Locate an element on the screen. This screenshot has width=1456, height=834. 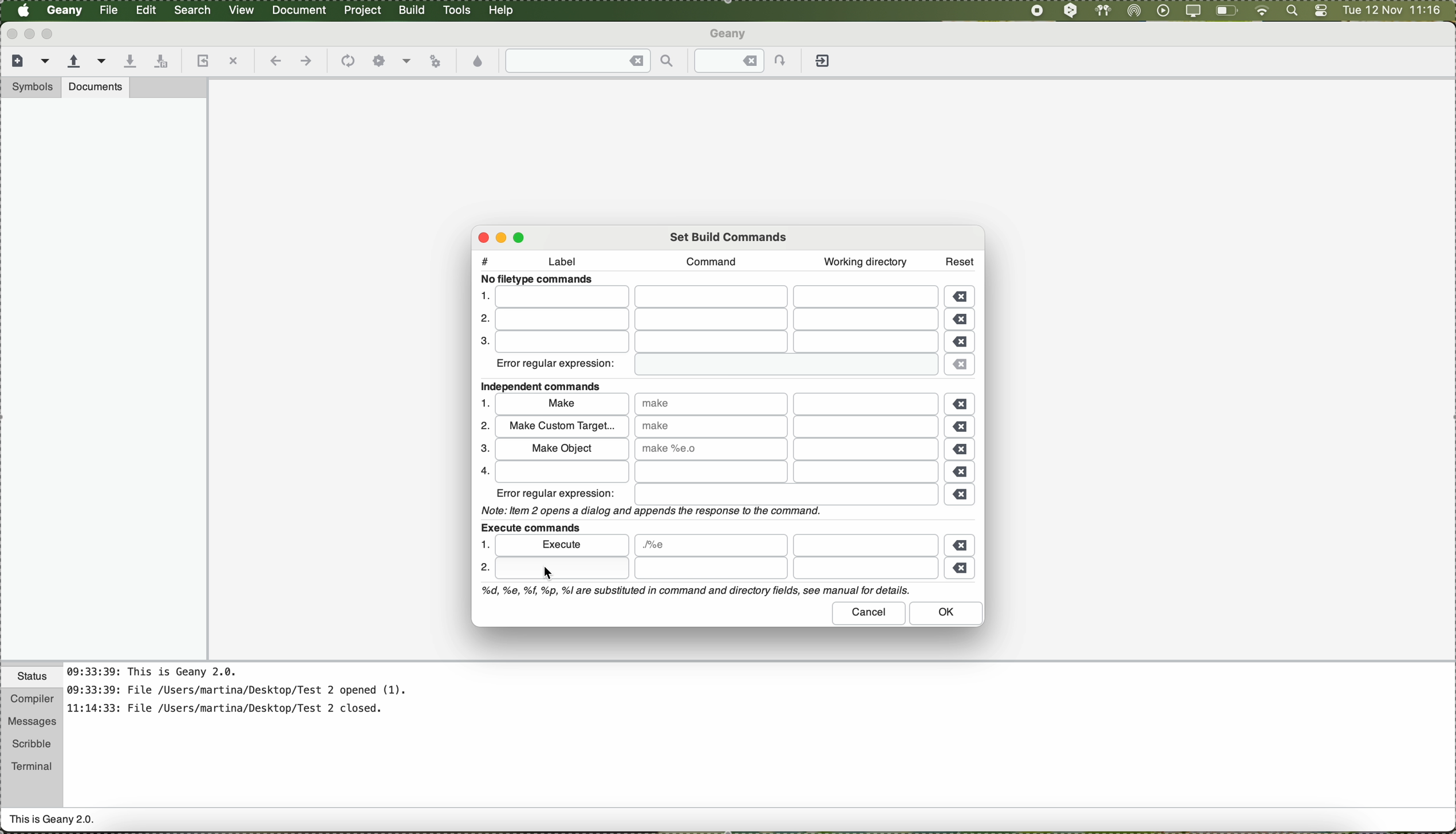
play is located at coordinates (1161, 10).